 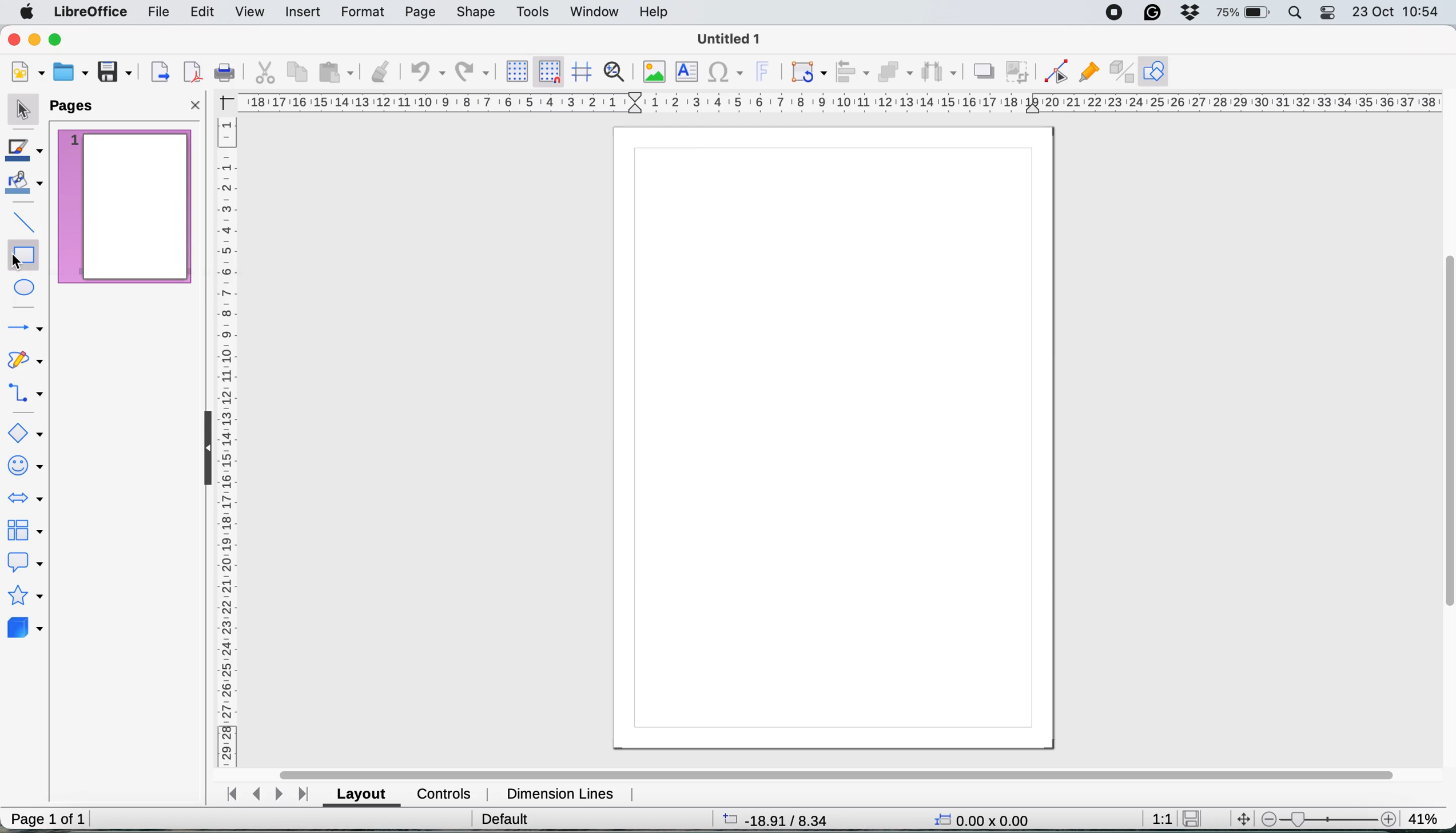 What do you see at coordinates (583, 73) in the screenshot?
I see `helplines when moving` at bounding box center [583, 73].